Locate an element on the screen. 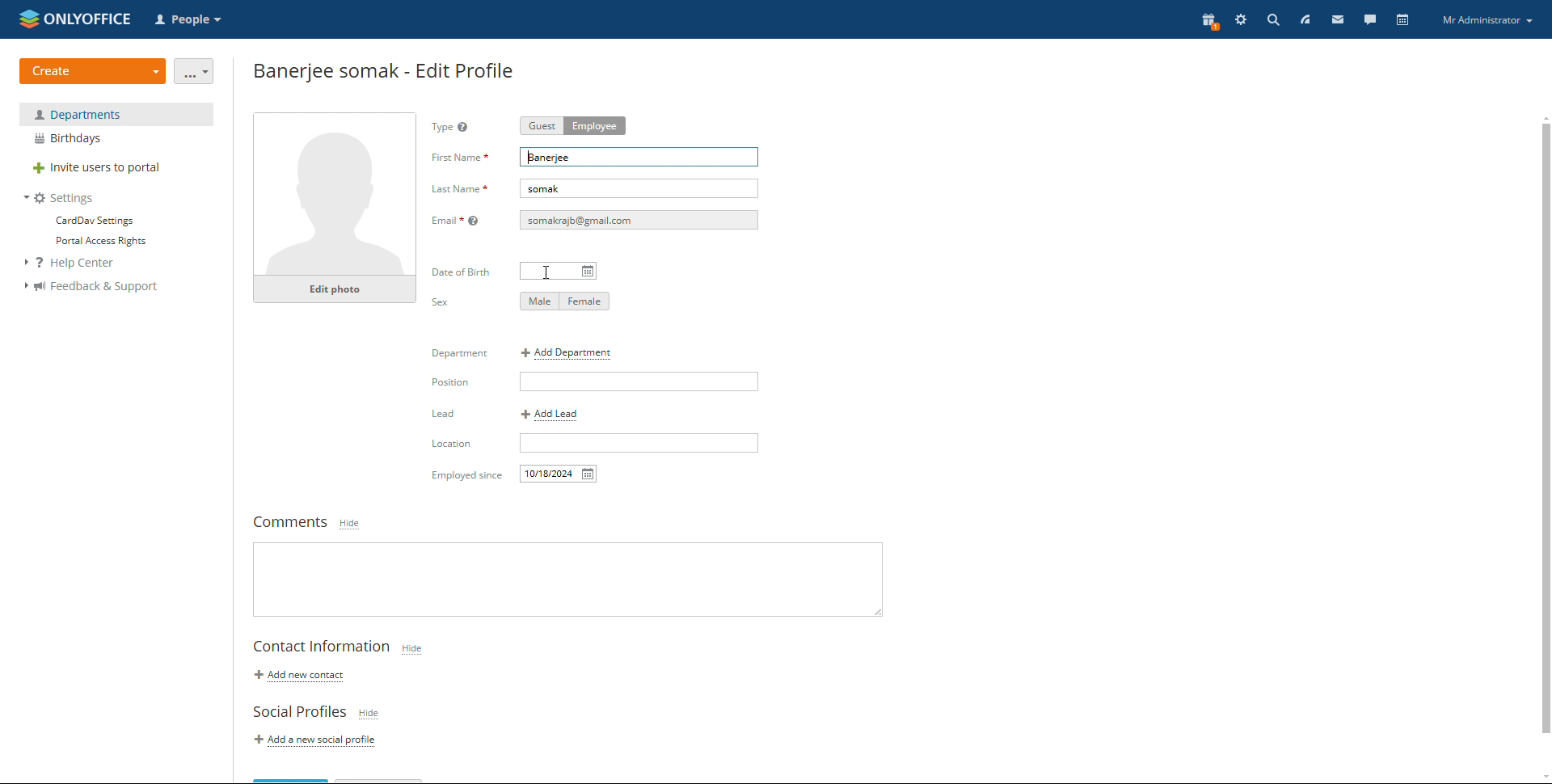 The image size is (1552, 784). settings is located at coordinates (60, 198).